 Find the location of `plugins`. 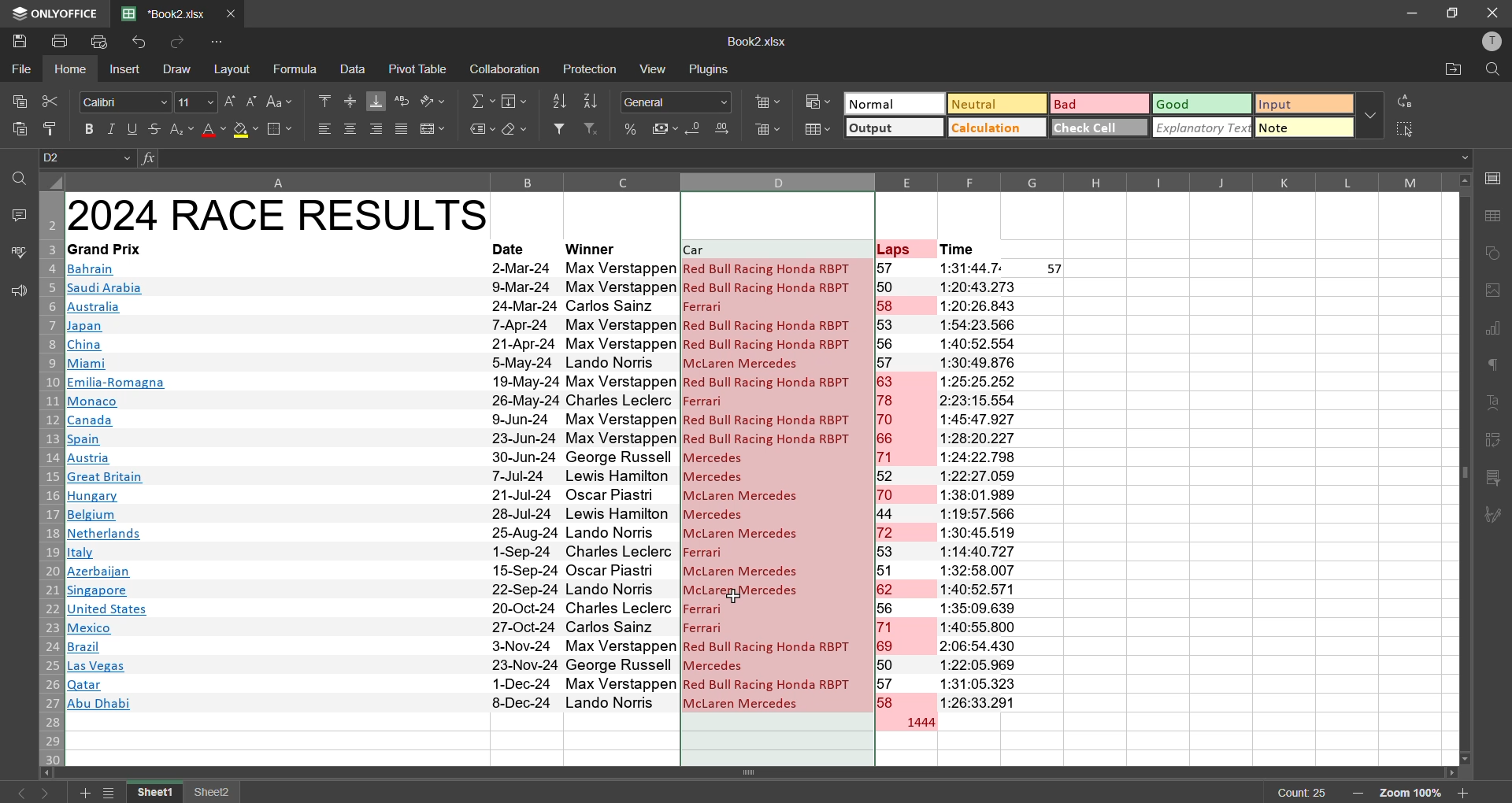

plugins is located at coordinates (709, 68).